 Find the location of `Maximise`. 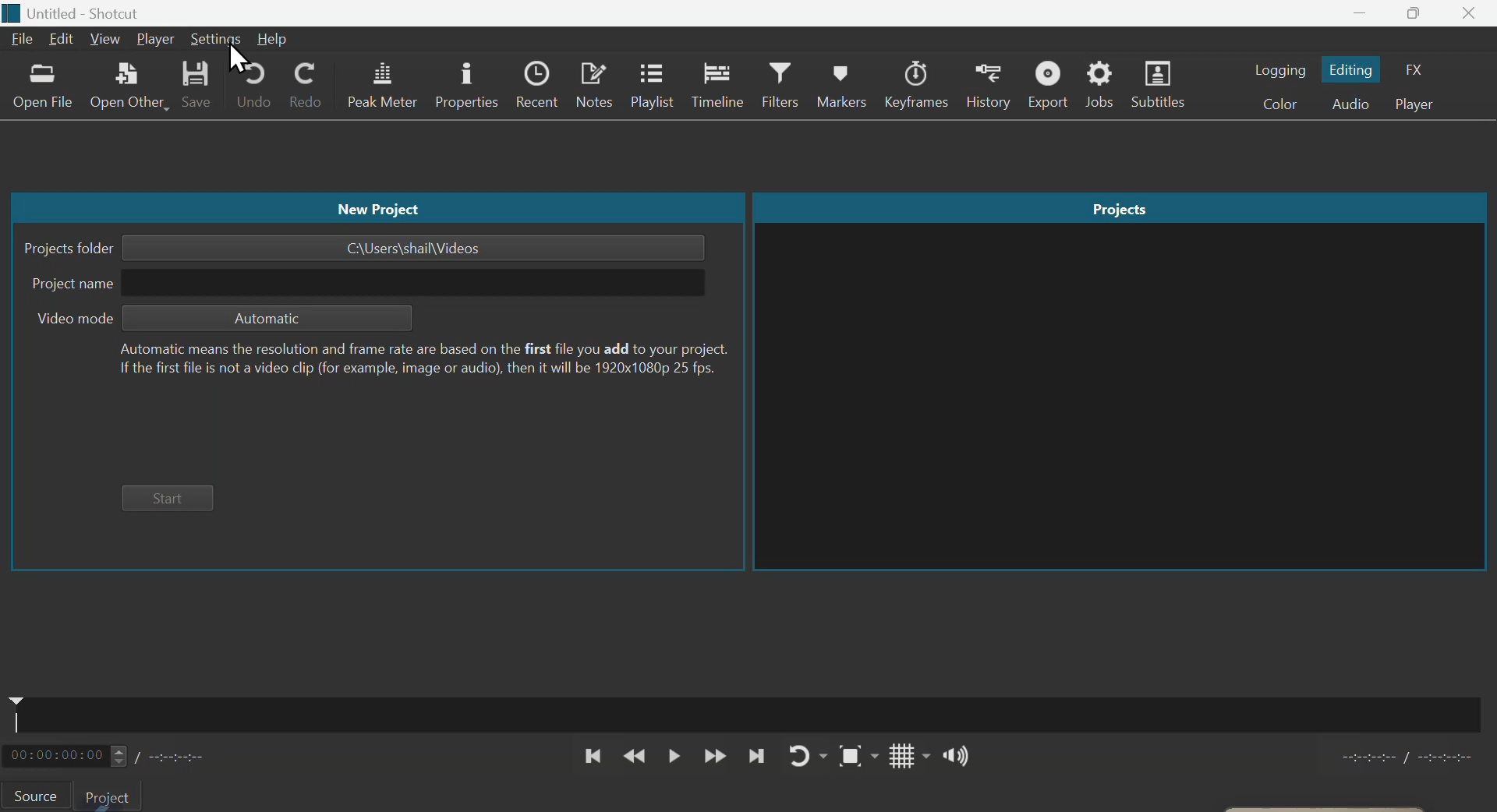

Maximise is located at coordinates (1414, 14).